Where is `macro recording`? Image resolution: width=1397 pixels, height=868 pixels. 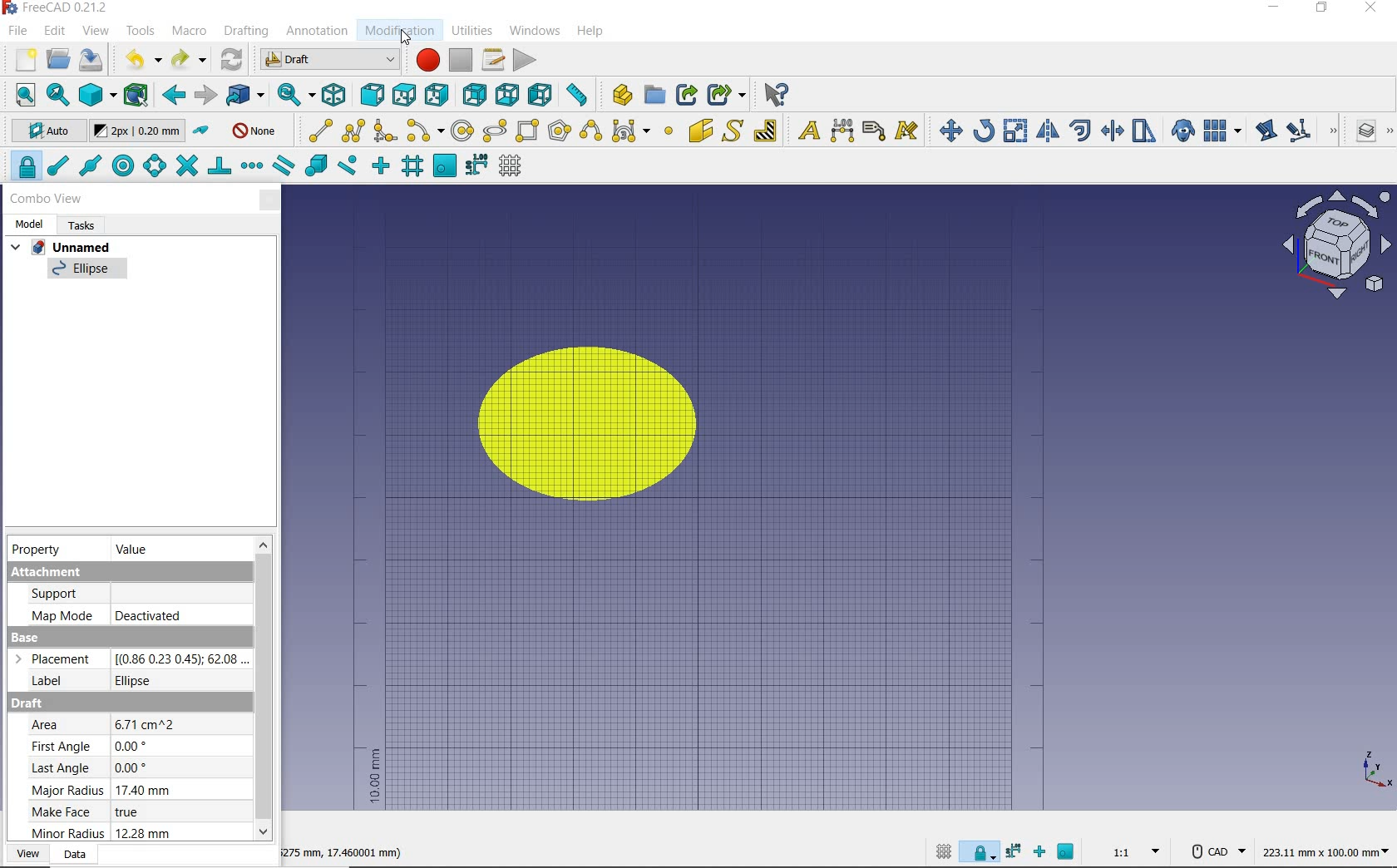
macro recording is located at coordinates (423, 61).